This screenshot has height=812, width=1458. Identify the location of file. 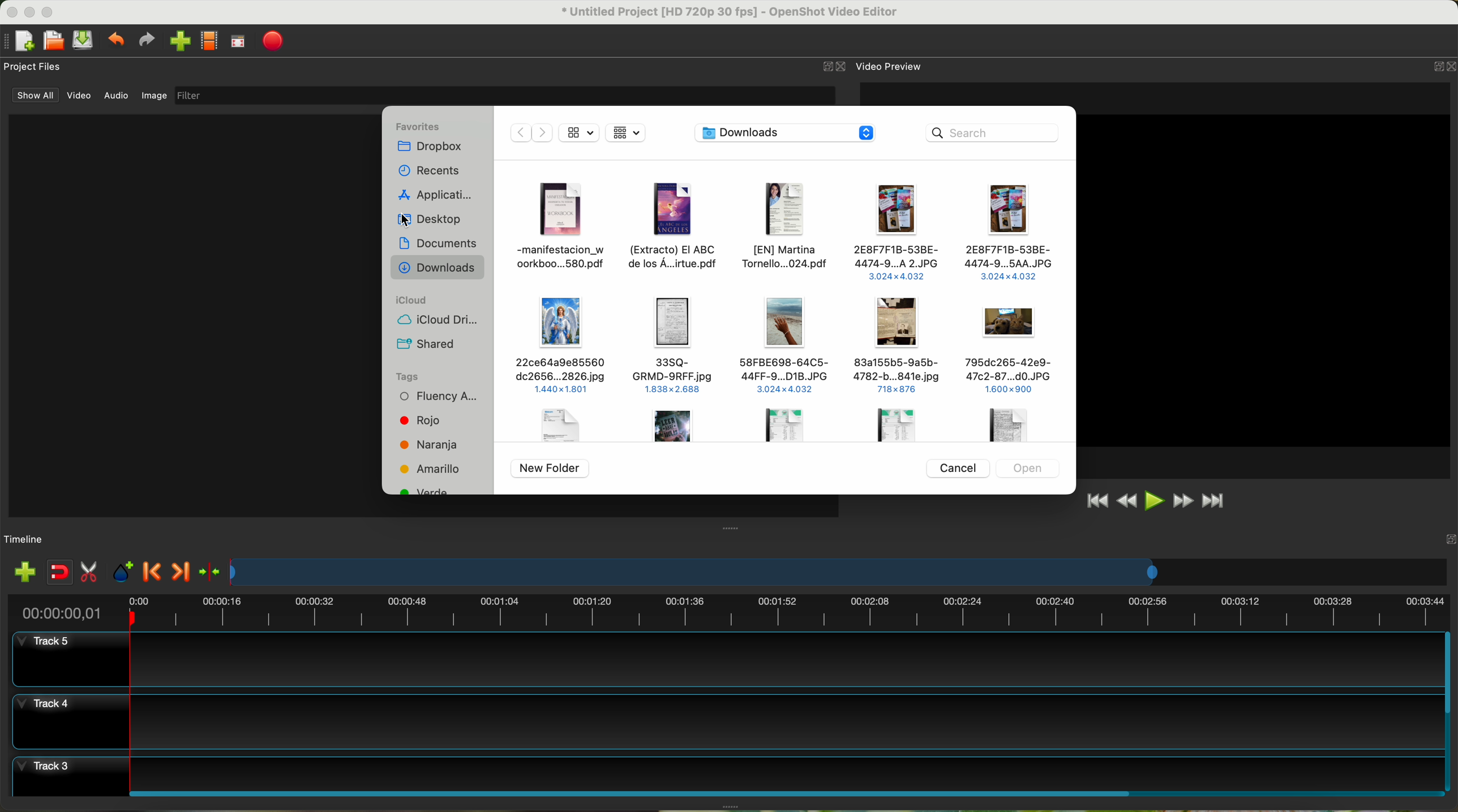
(892, 422).